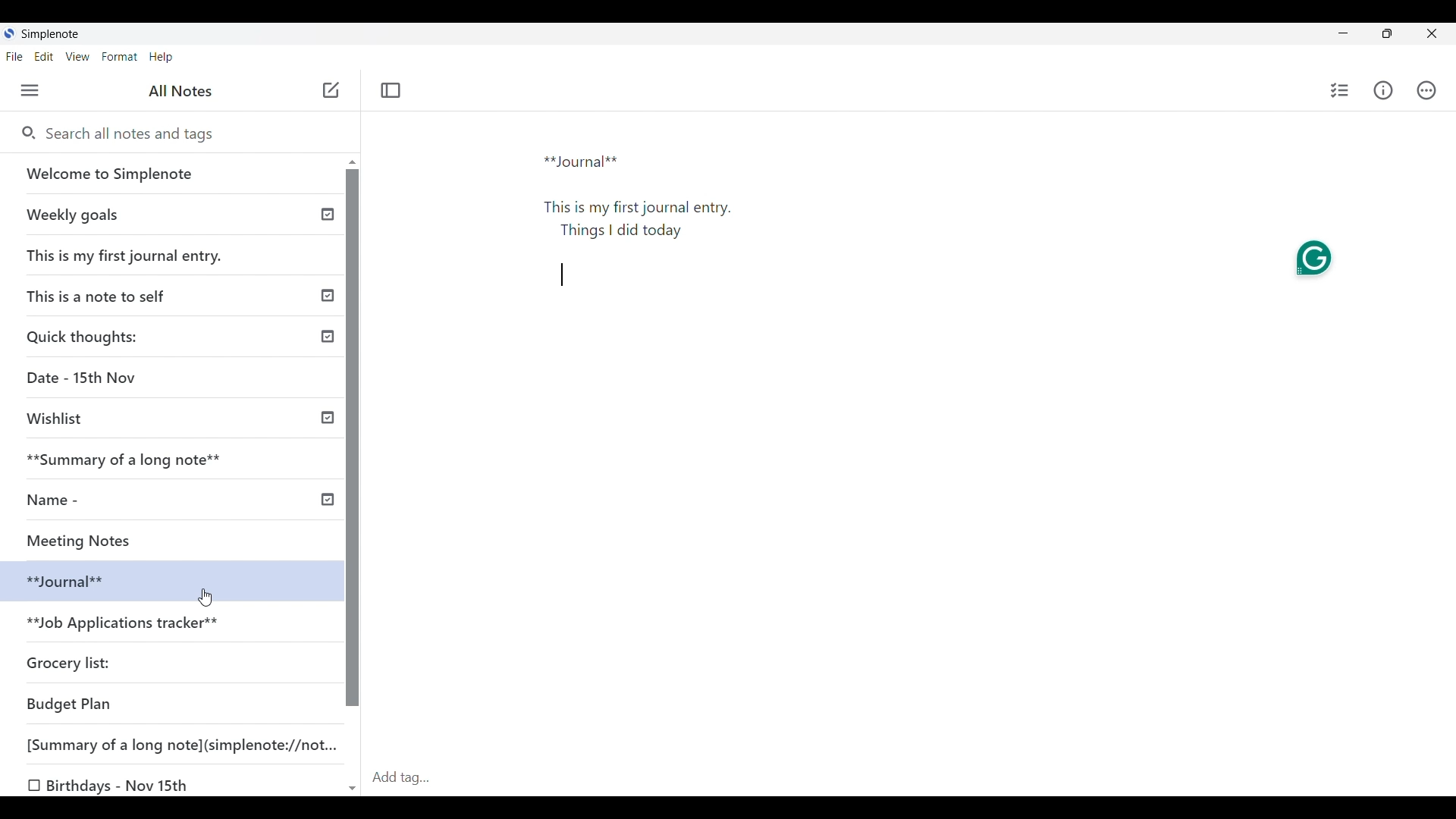  I want to click on Title of left panel, so click(180, 91).